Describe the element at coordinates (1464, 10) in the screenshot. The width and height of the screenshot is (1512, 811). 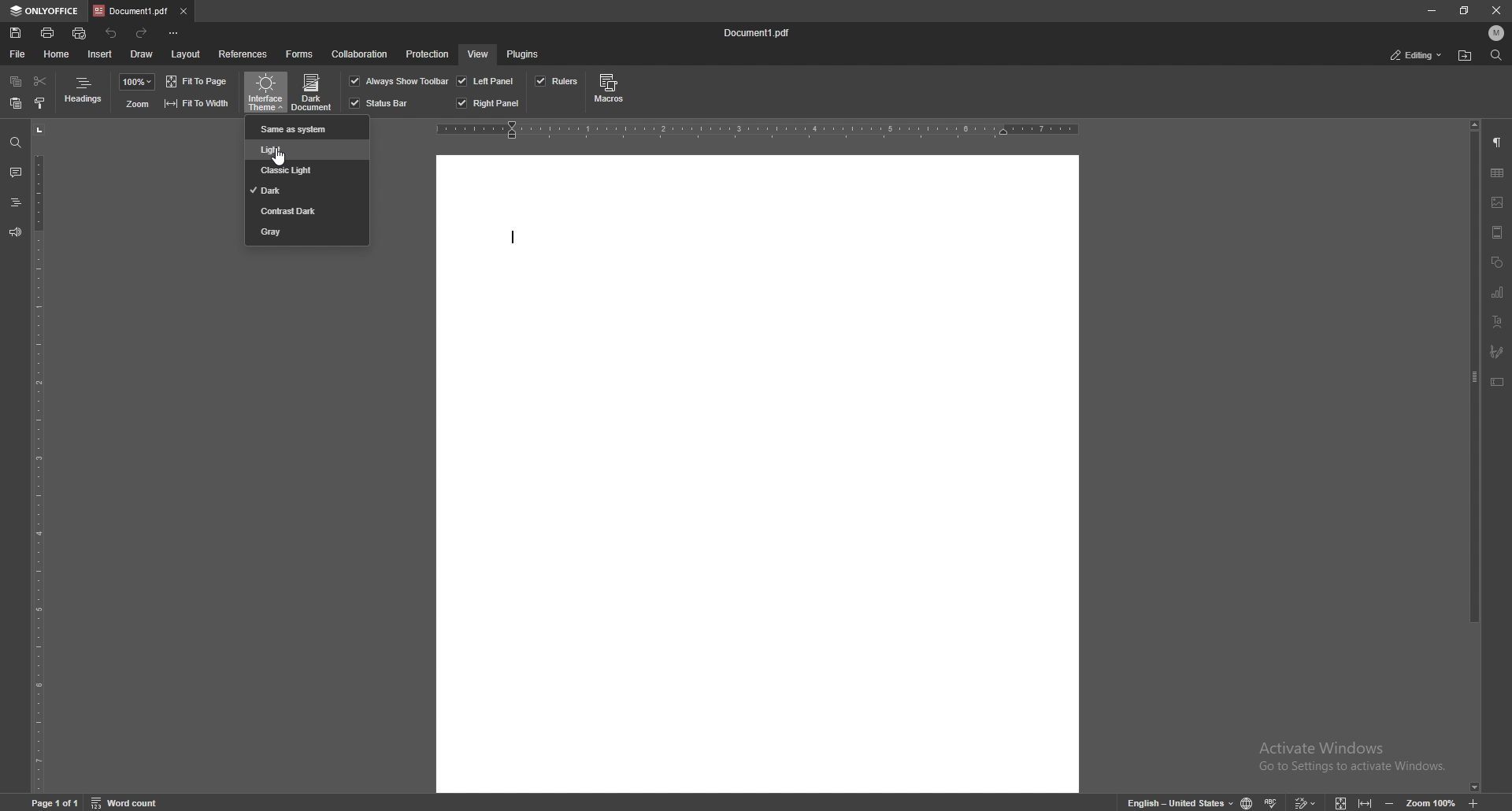
I see `resize` at that location.